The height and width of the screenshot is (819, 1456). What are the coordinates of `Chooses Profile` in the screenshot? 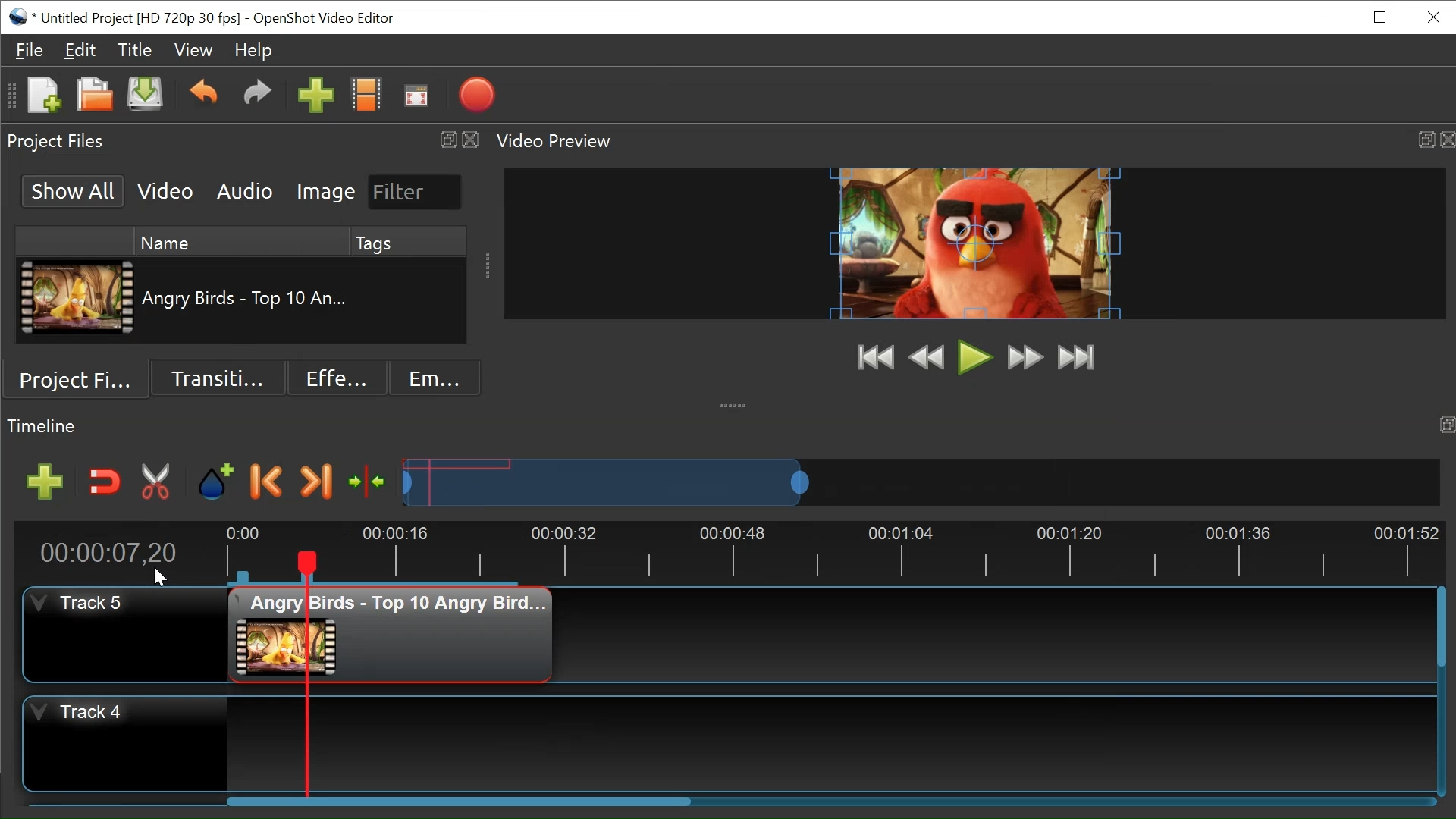 It's located at (367, 97).